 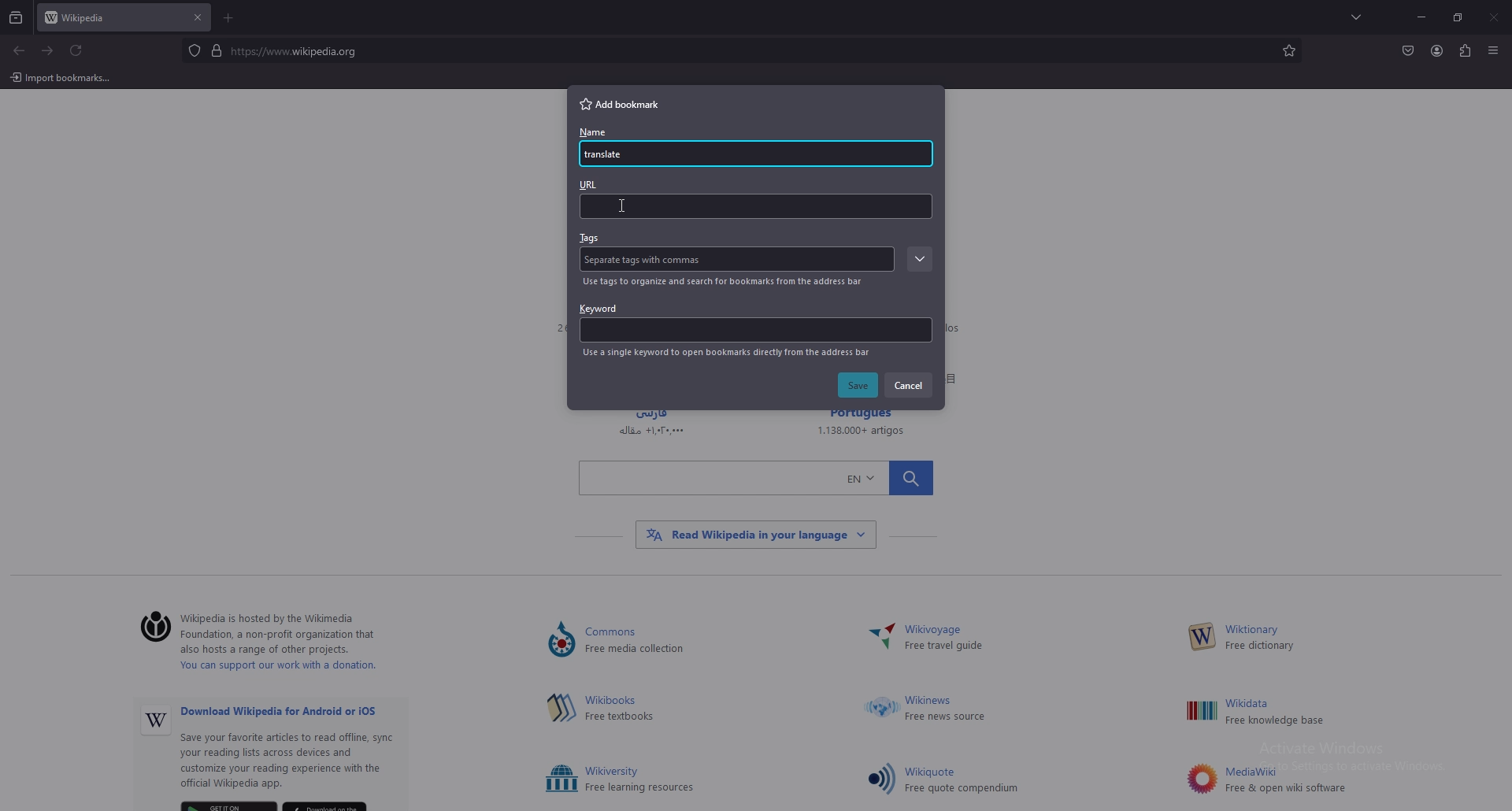 I want to click on expand, so click(x=917, y=260).